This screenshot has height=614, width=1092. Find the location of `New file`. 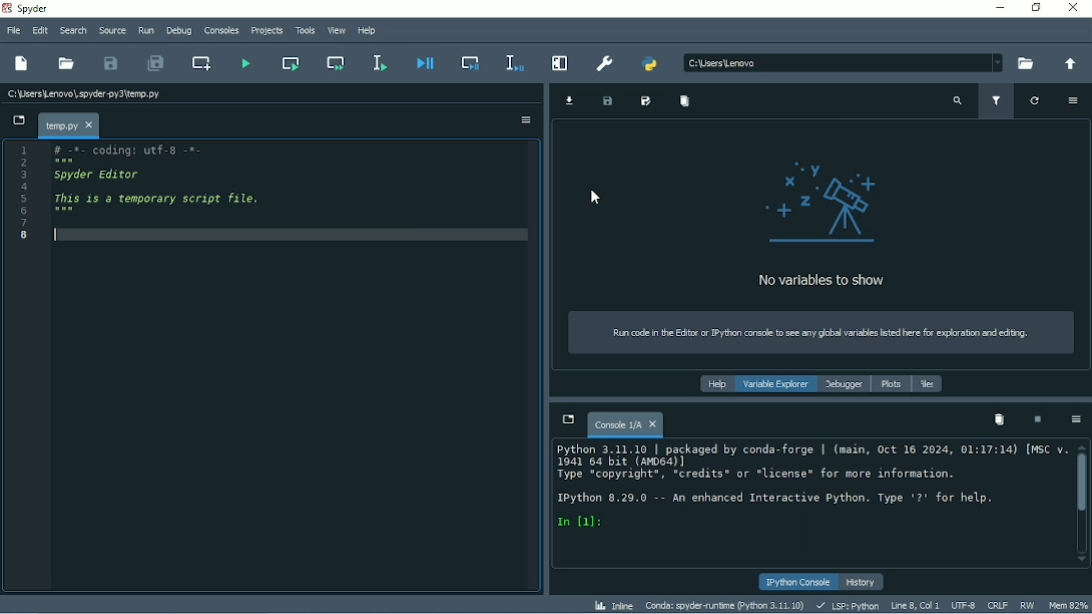

New file is located at coordinates (22, 64).